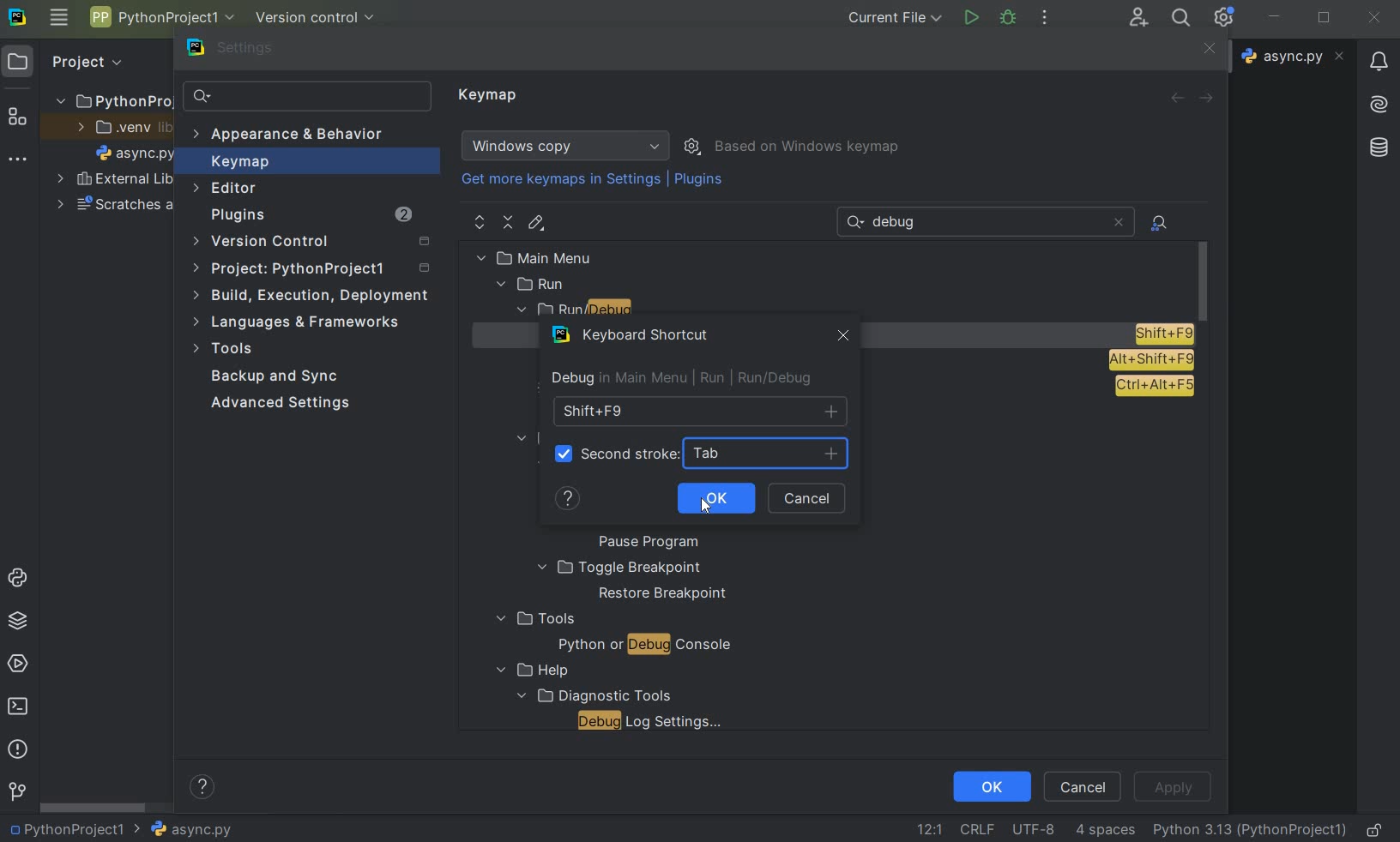 Image resolution: width=1400 pixels, height=842 pixels. Describe the element at coordinates (694, 145) in the screenshot. I see `show scheme actions` at that location.